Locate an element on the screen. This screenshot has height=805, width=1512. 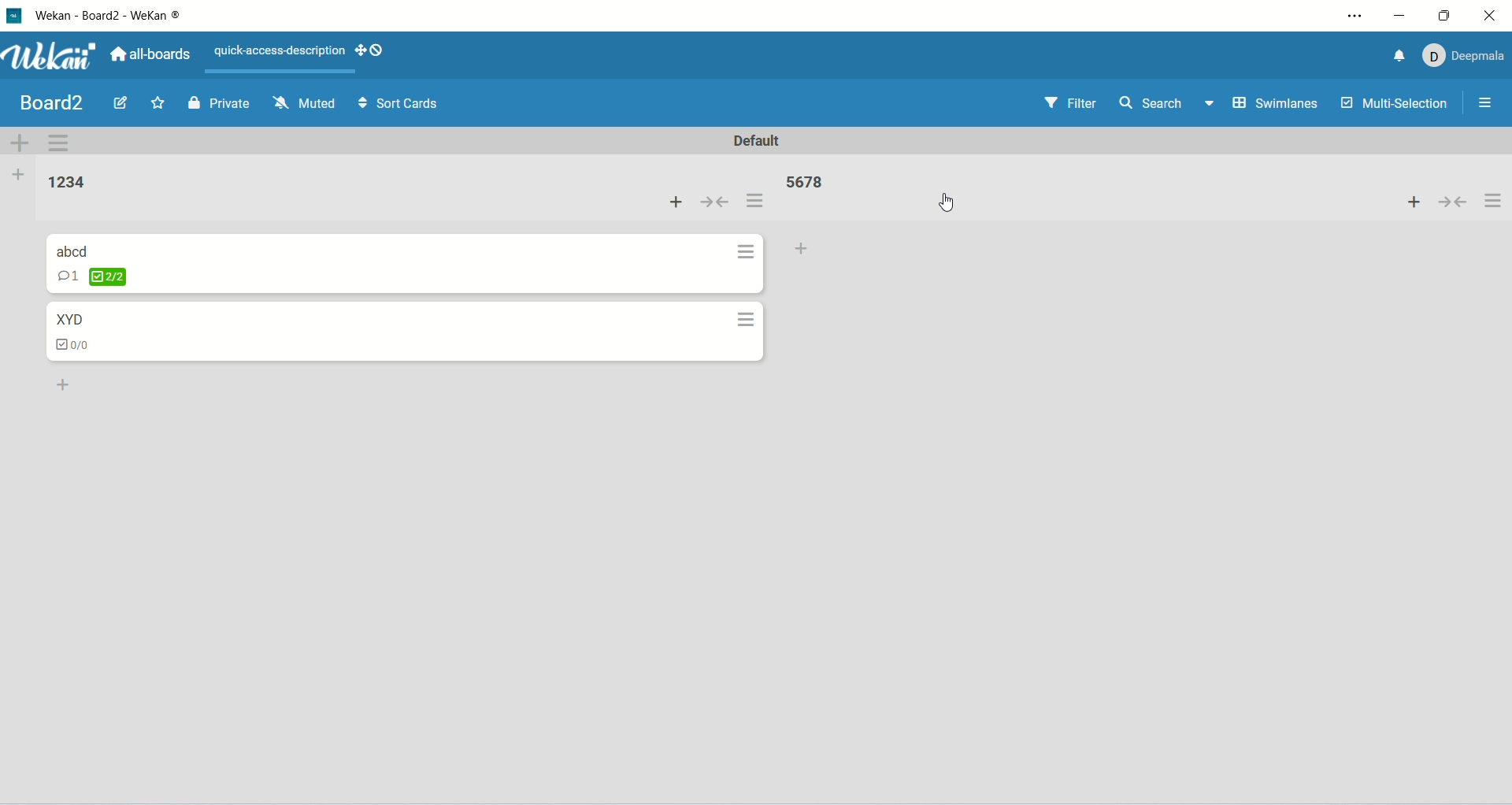
logo is located at coordinates (13, 17).